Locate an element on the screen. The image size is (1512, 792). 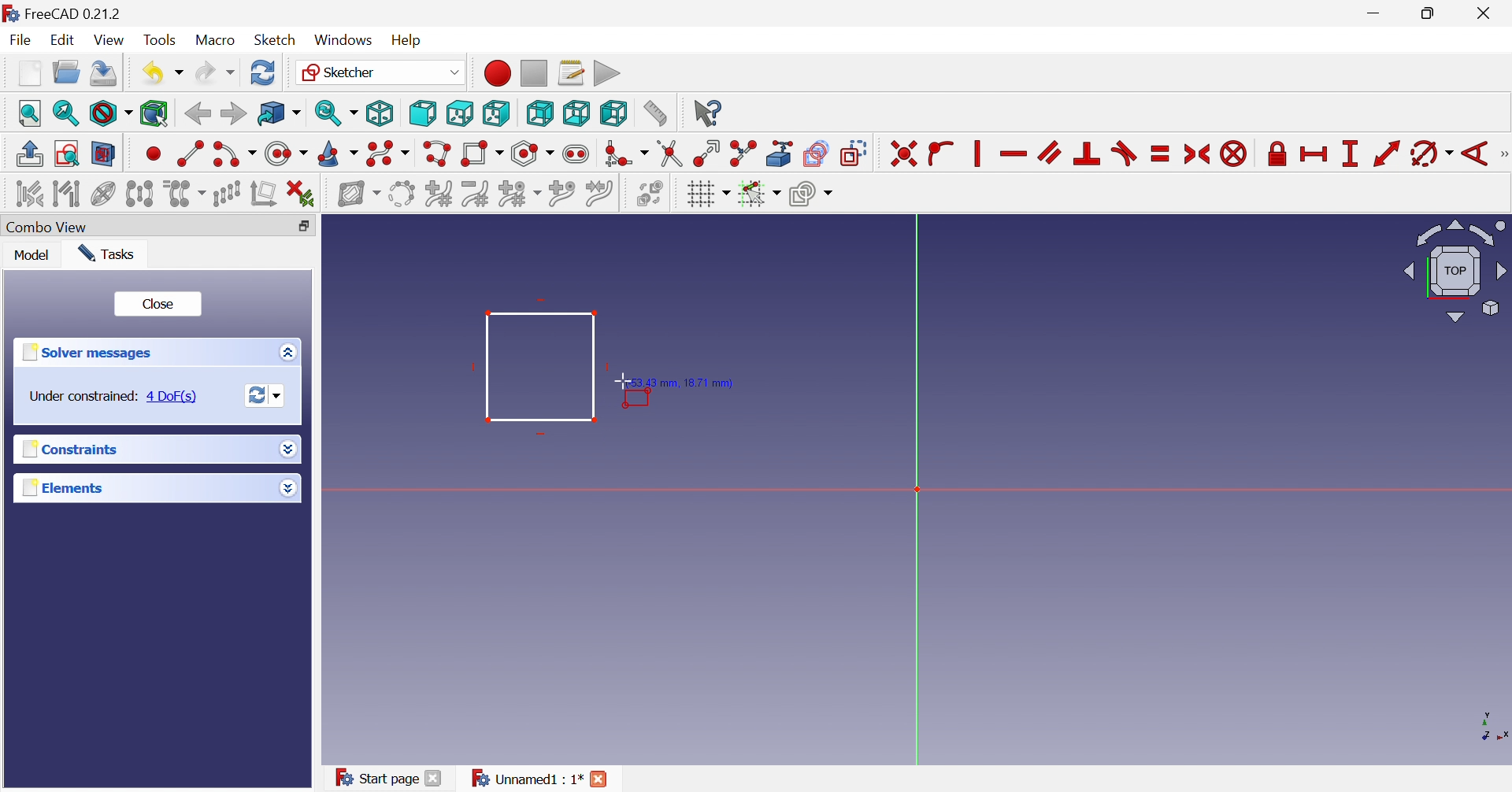
Constrain vertical distance is located at coordinates (1349, 154).